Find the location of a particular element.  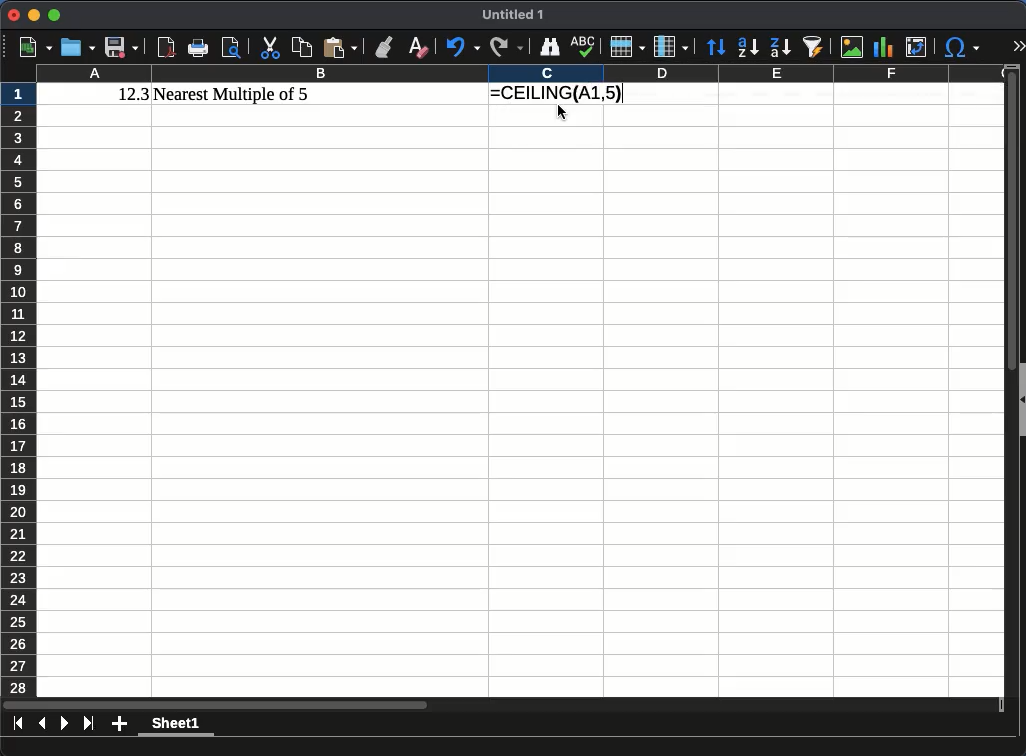

image is located at coordinates (850, 47).